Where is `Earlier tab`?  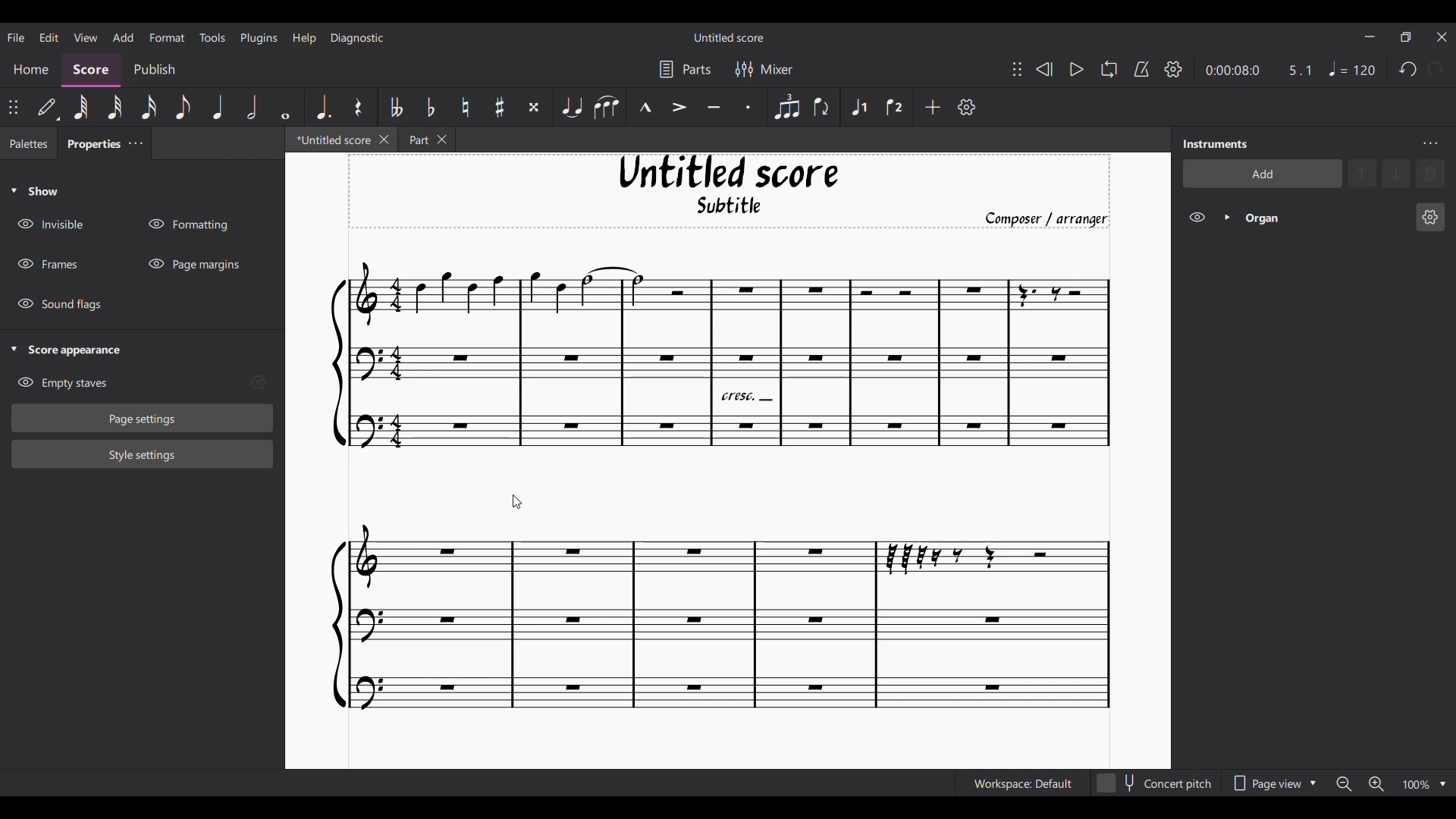
Earlier tab is located at coordinates (426, 140).